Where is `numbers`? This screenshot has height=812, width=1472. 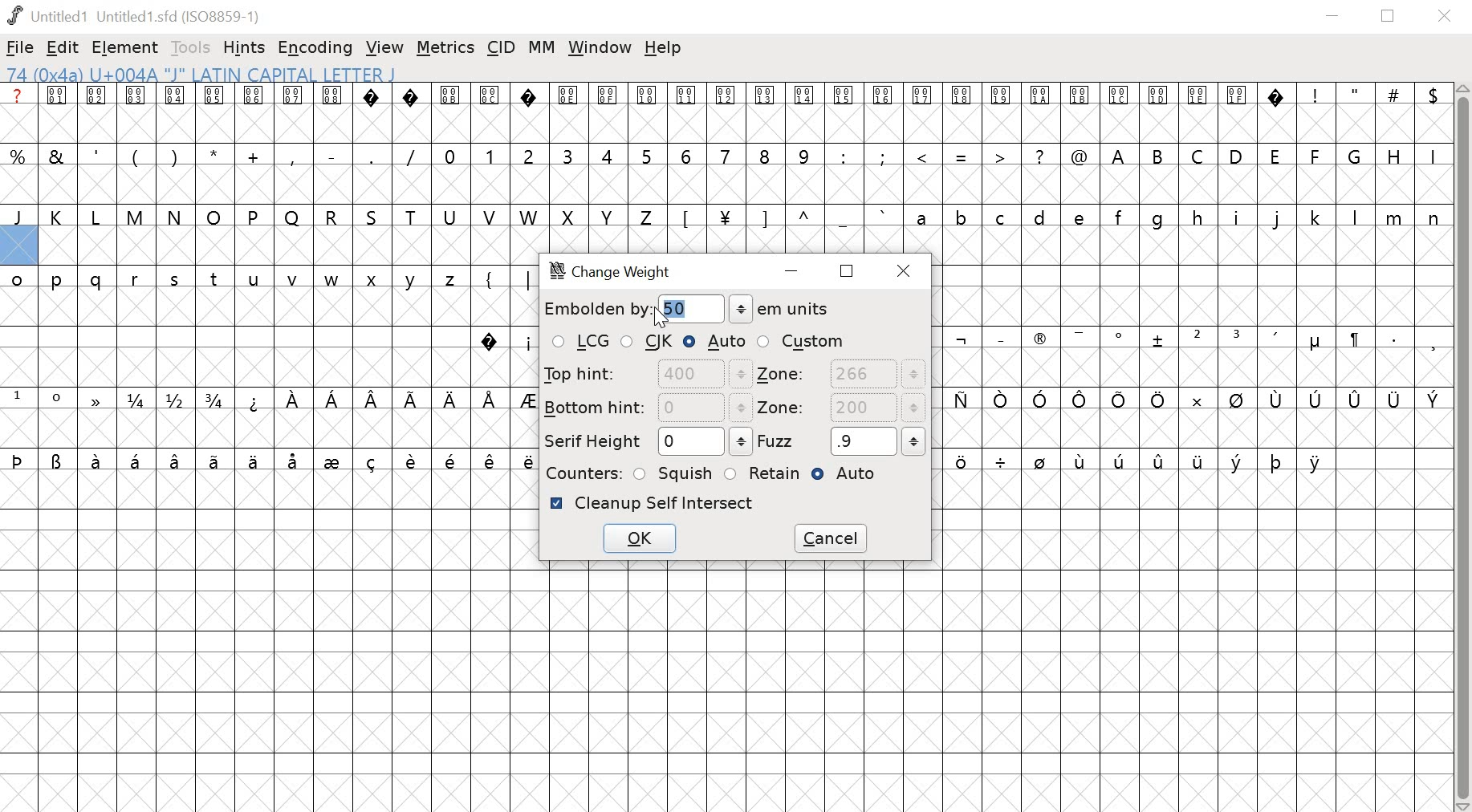
numbers is located at coordinates (626, 155).